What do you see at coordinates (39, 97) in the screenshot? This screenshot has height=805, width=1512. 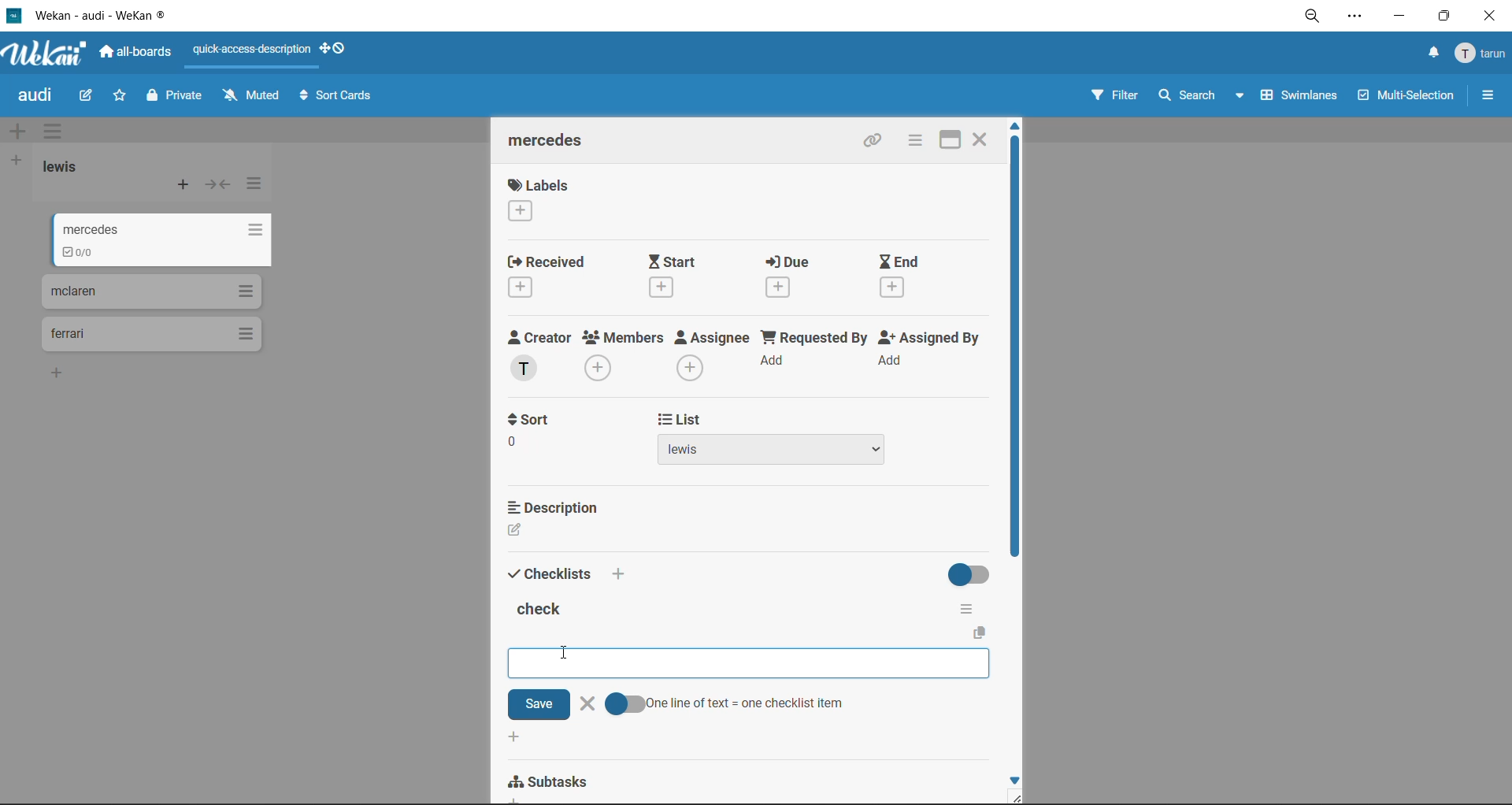 I see `board title` at bounding box center [39, 97].